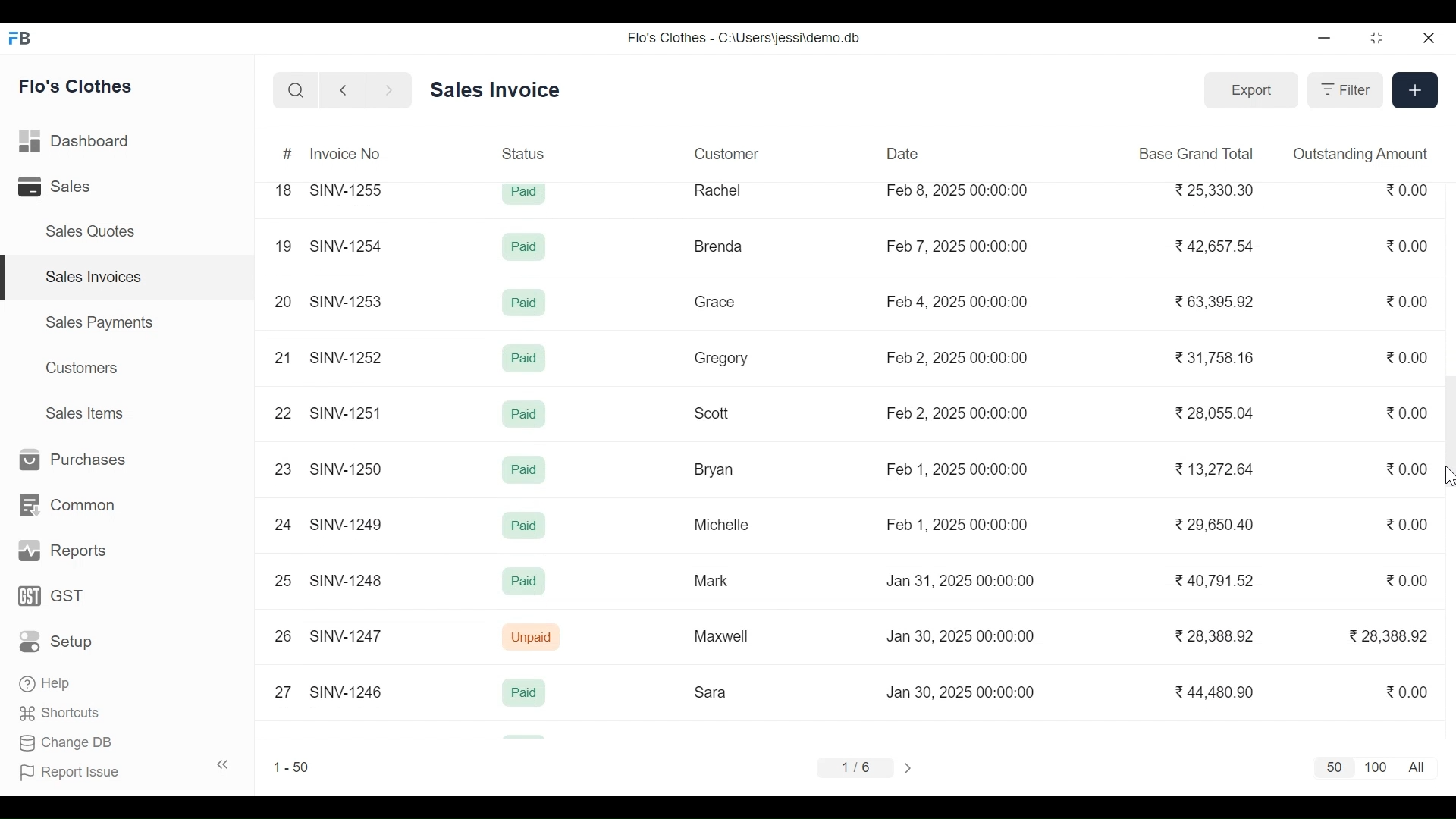 The image size is (1456, 819). I want to click on 0.00, so click(1408, 357).